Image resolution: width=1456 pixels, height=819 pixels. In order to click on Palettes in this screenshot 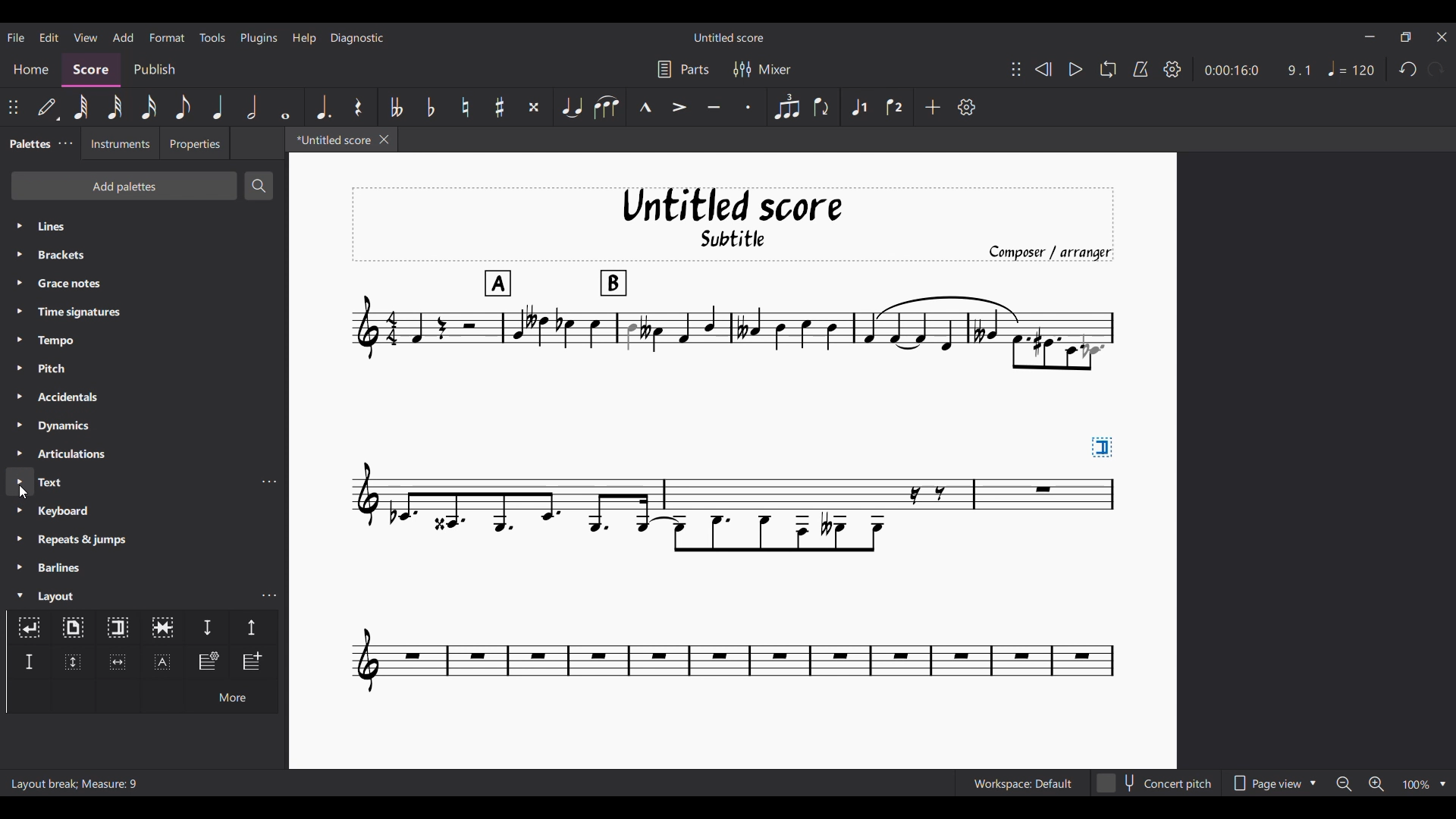, I will do `click(27, 145)`.